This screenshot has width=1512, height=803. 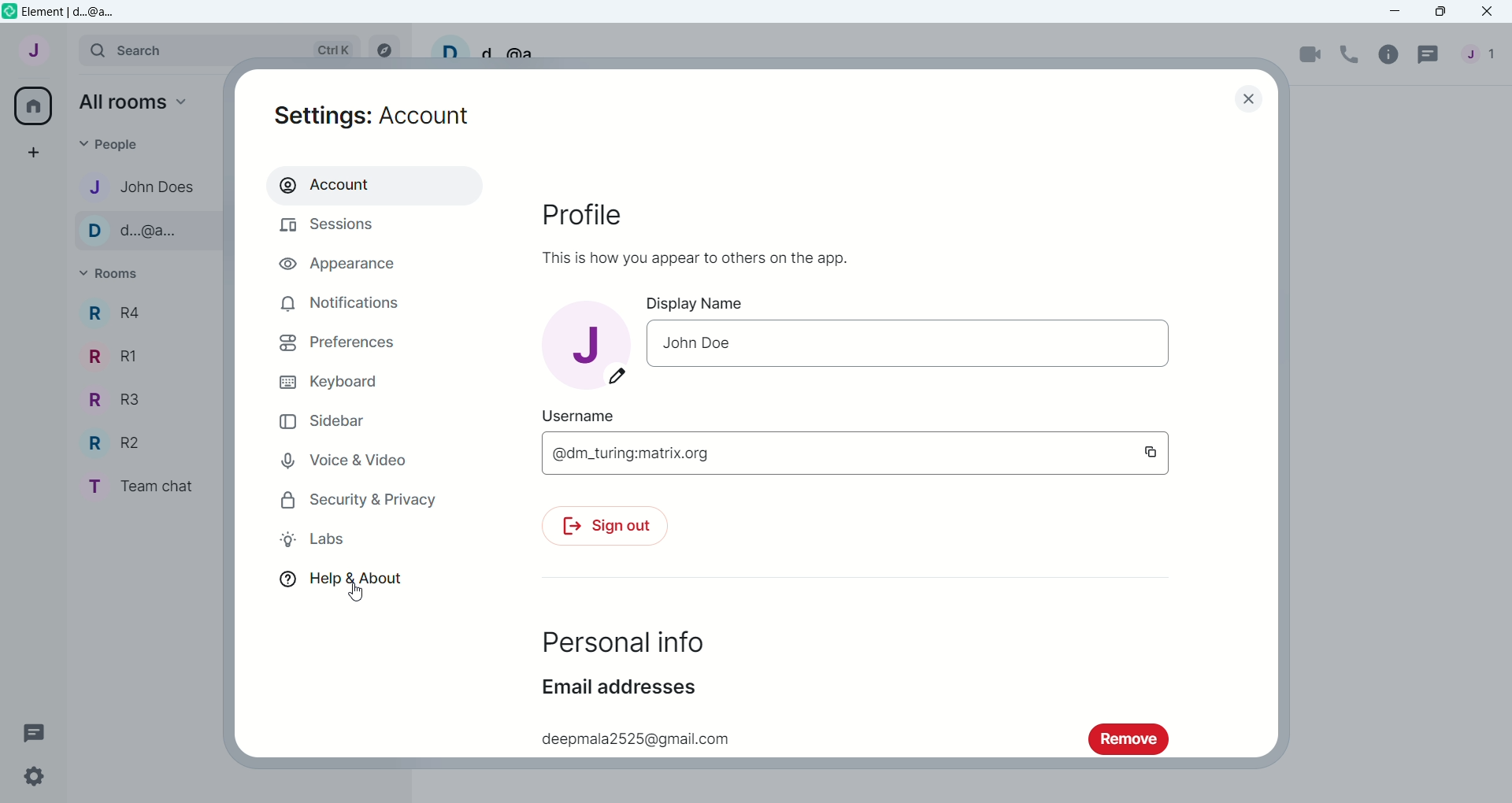 I want to click on Sessions, so click(x=332, y=228).